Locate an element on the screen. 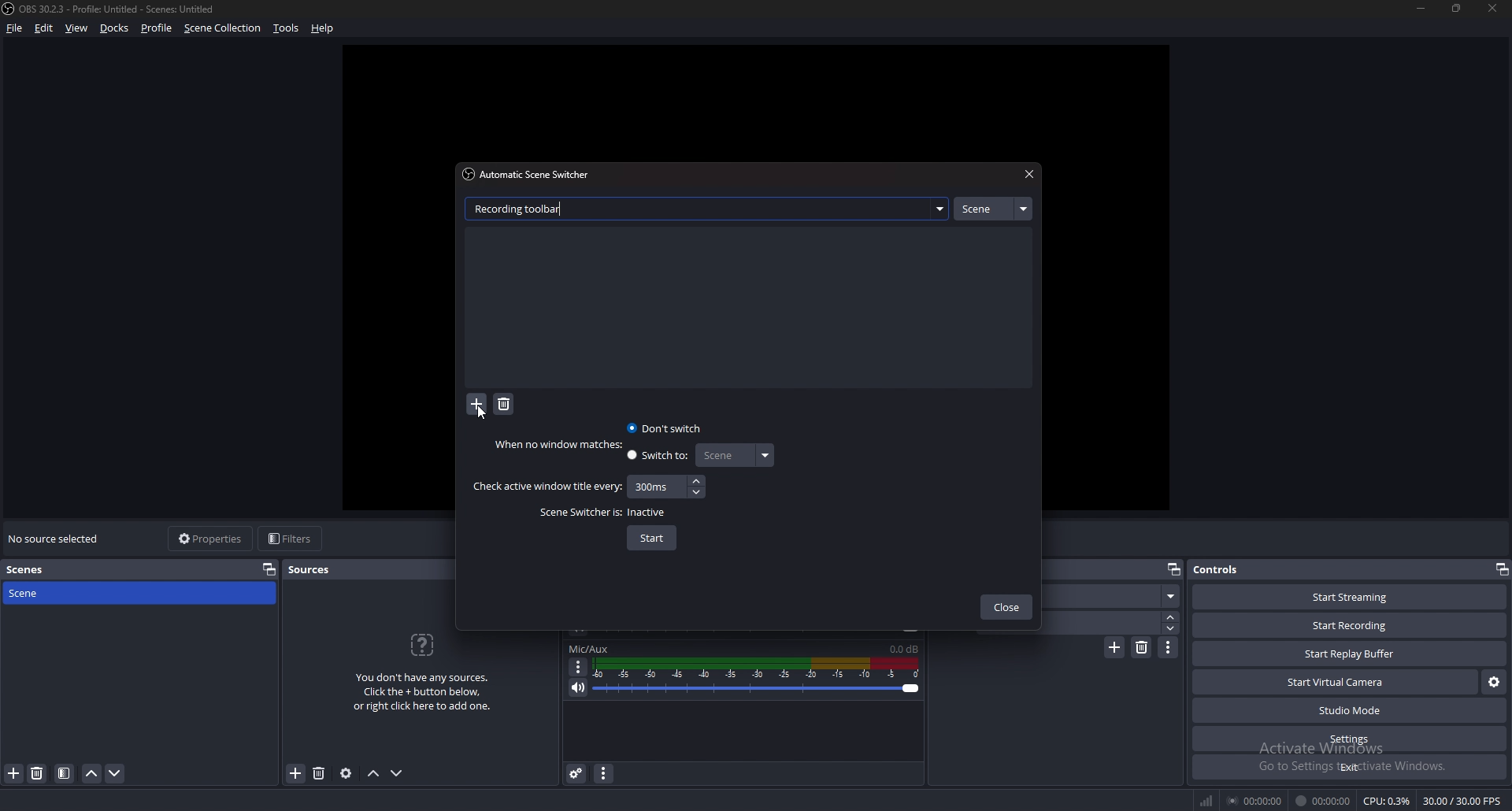  duration is located at coordinates (1110, 622).